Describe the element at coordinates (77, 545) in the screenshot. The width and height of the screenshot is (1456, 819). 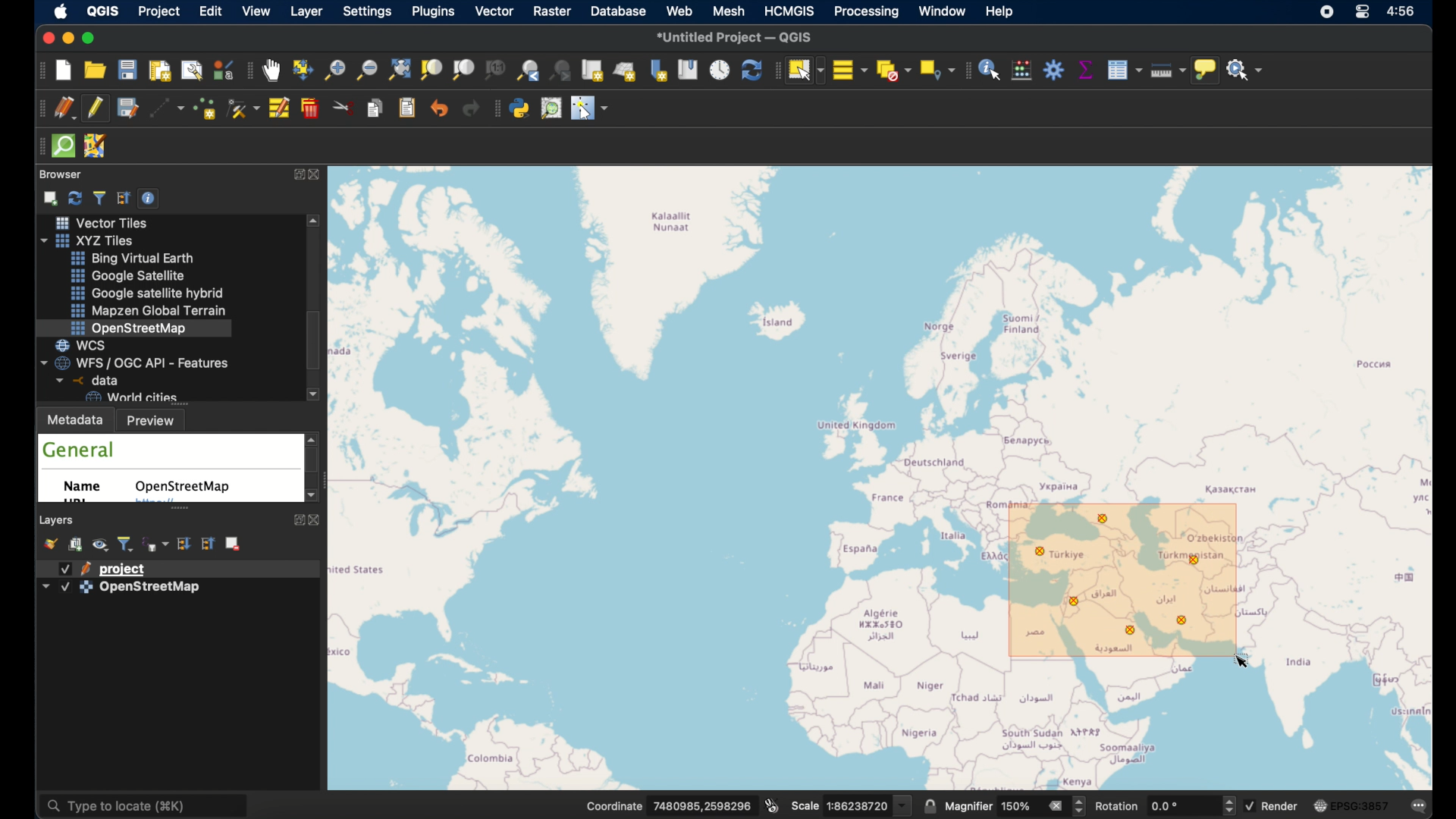
I see `add group` at that location.